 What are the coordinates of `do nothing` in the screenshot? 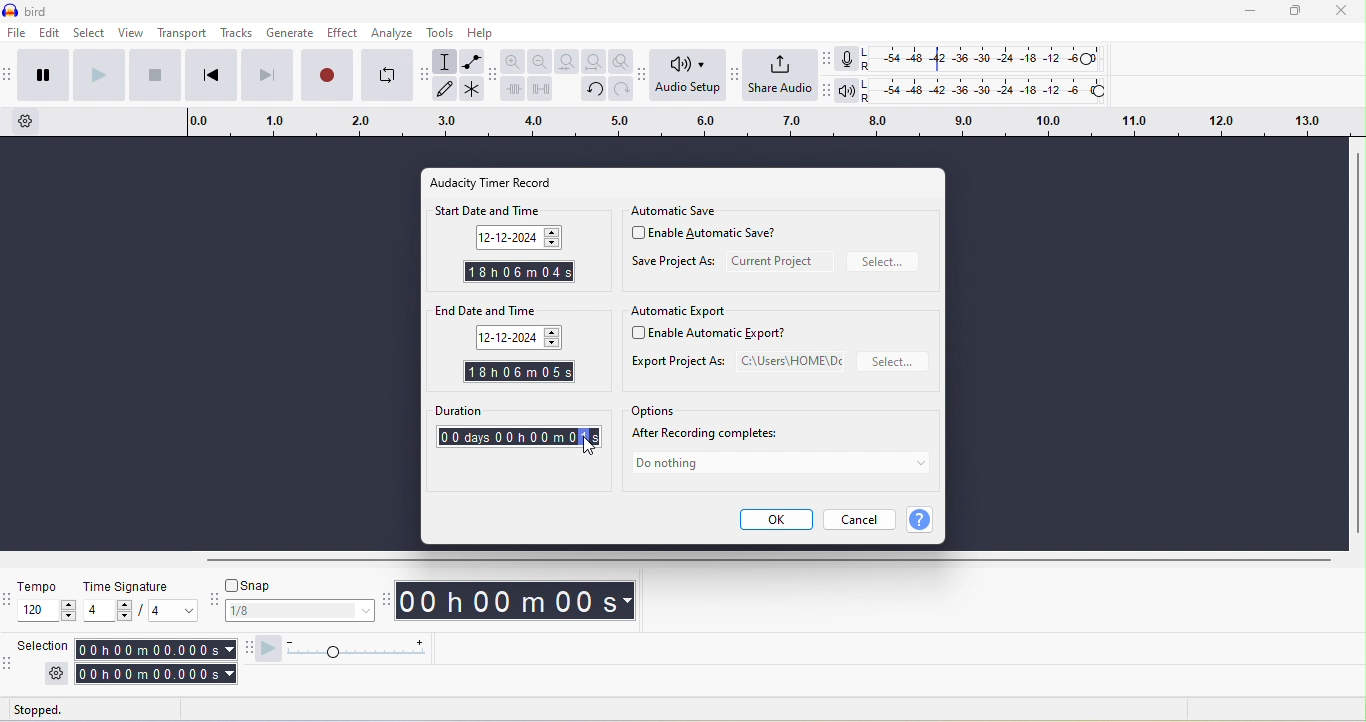 It's located at (779, 466).